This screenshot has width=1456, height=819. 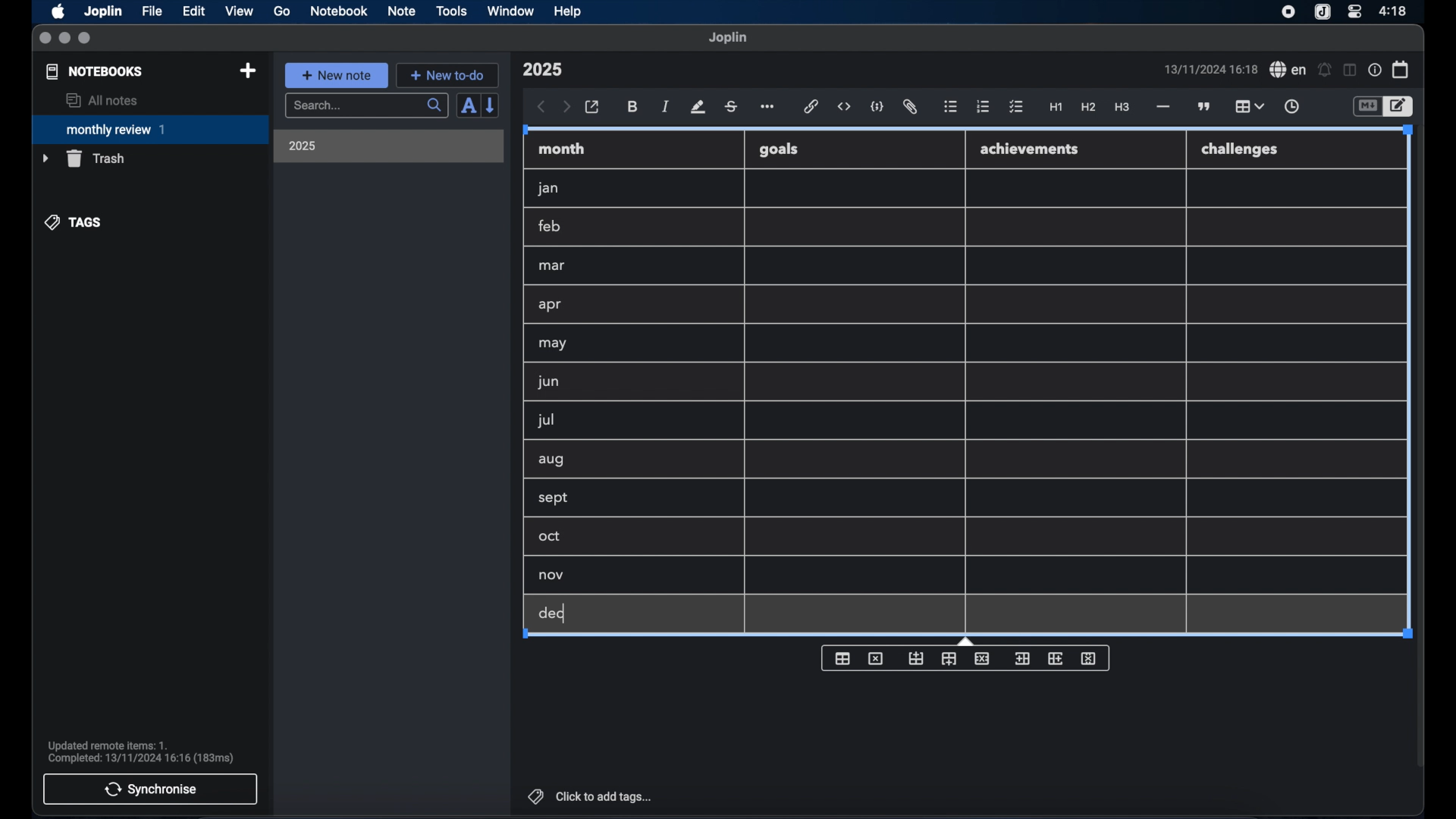 What do you see at coordinates (1024, 657) in the screenshot?
I see `insert column before` at bounding box center [1024, 657].